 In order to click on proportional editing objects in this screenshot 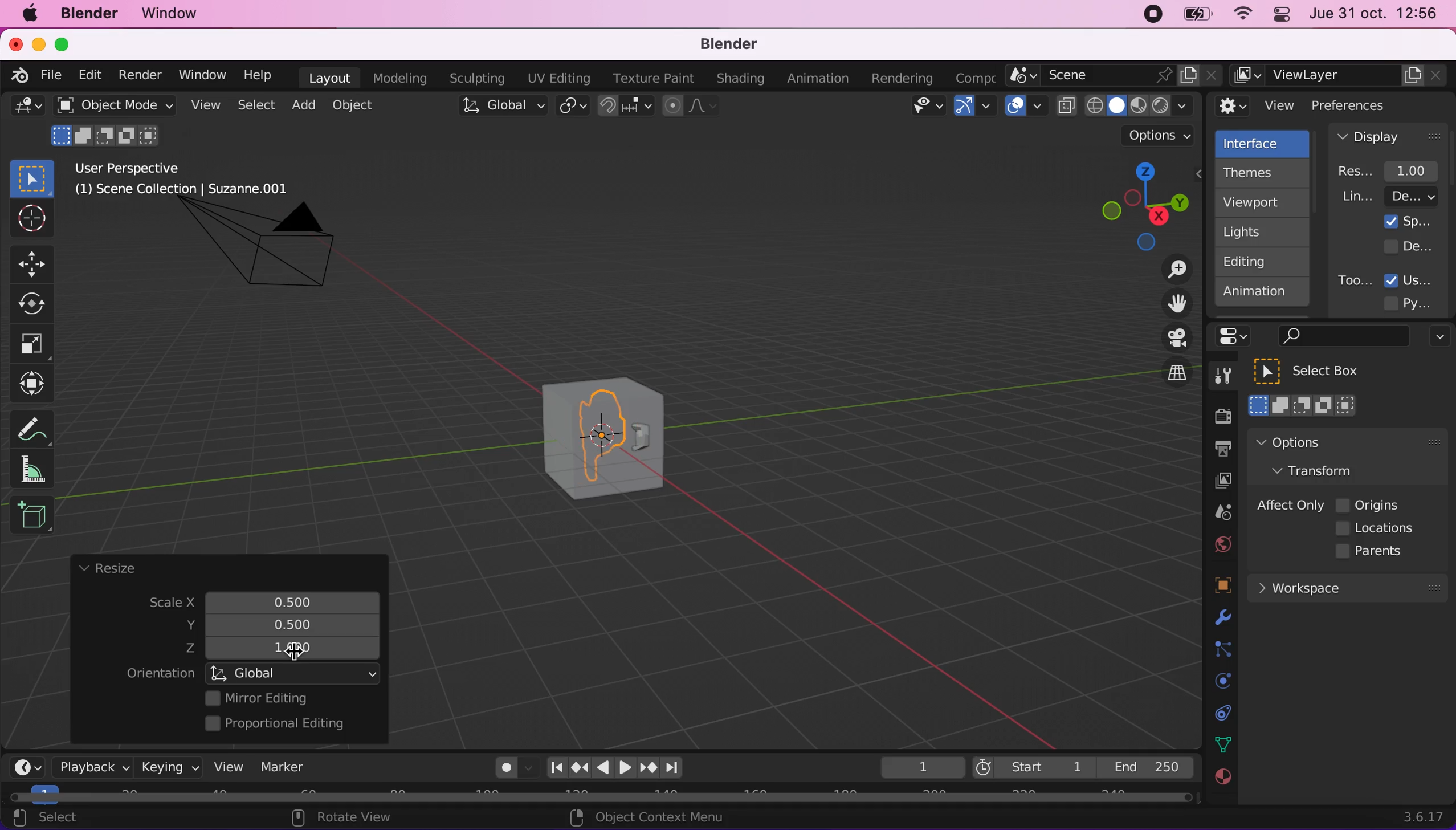, I will do `click(692, 107)`.